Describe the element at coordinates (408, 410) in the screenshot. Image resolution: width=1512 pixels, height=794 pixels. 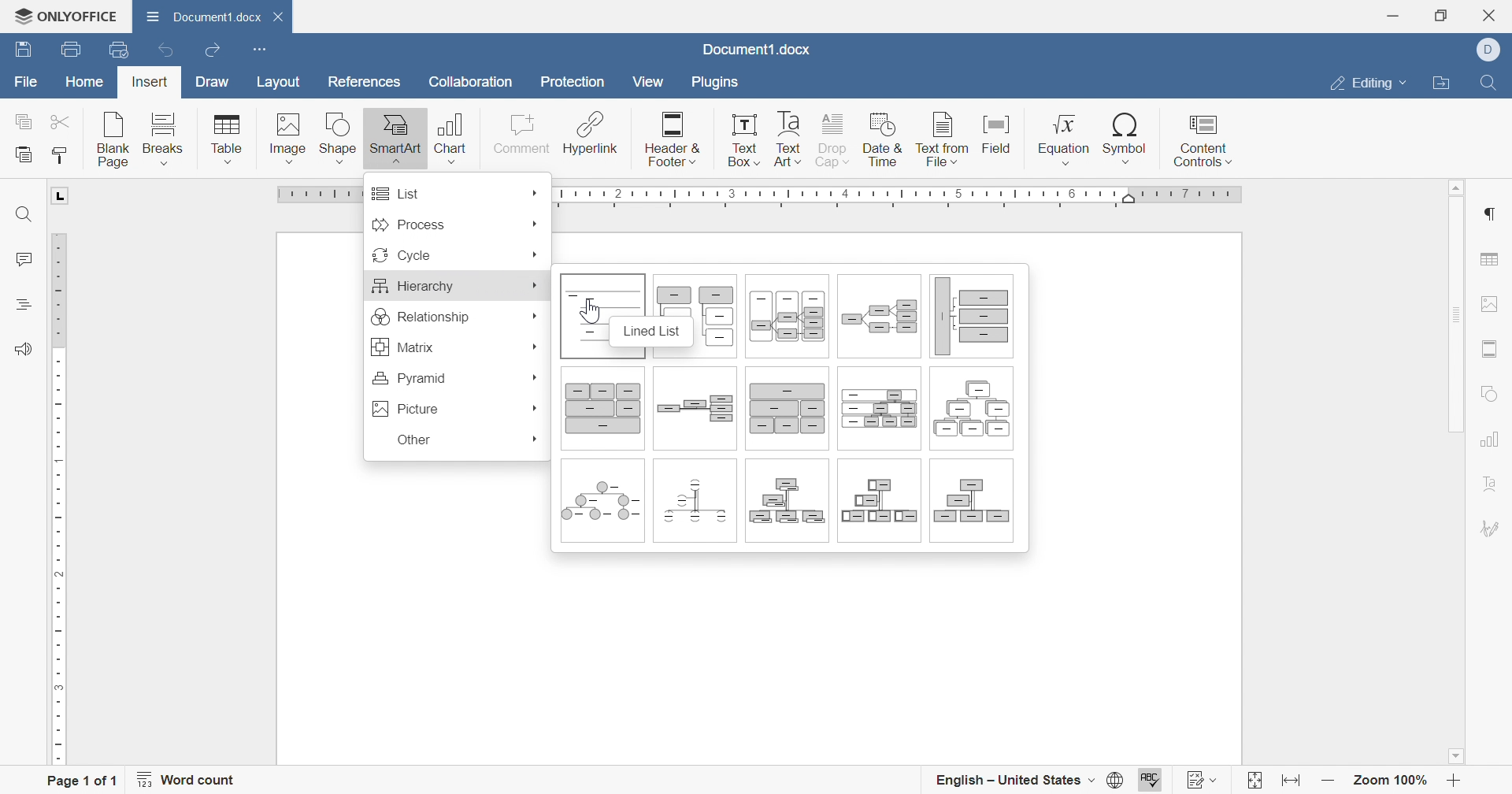
I see `Picture` at that location.